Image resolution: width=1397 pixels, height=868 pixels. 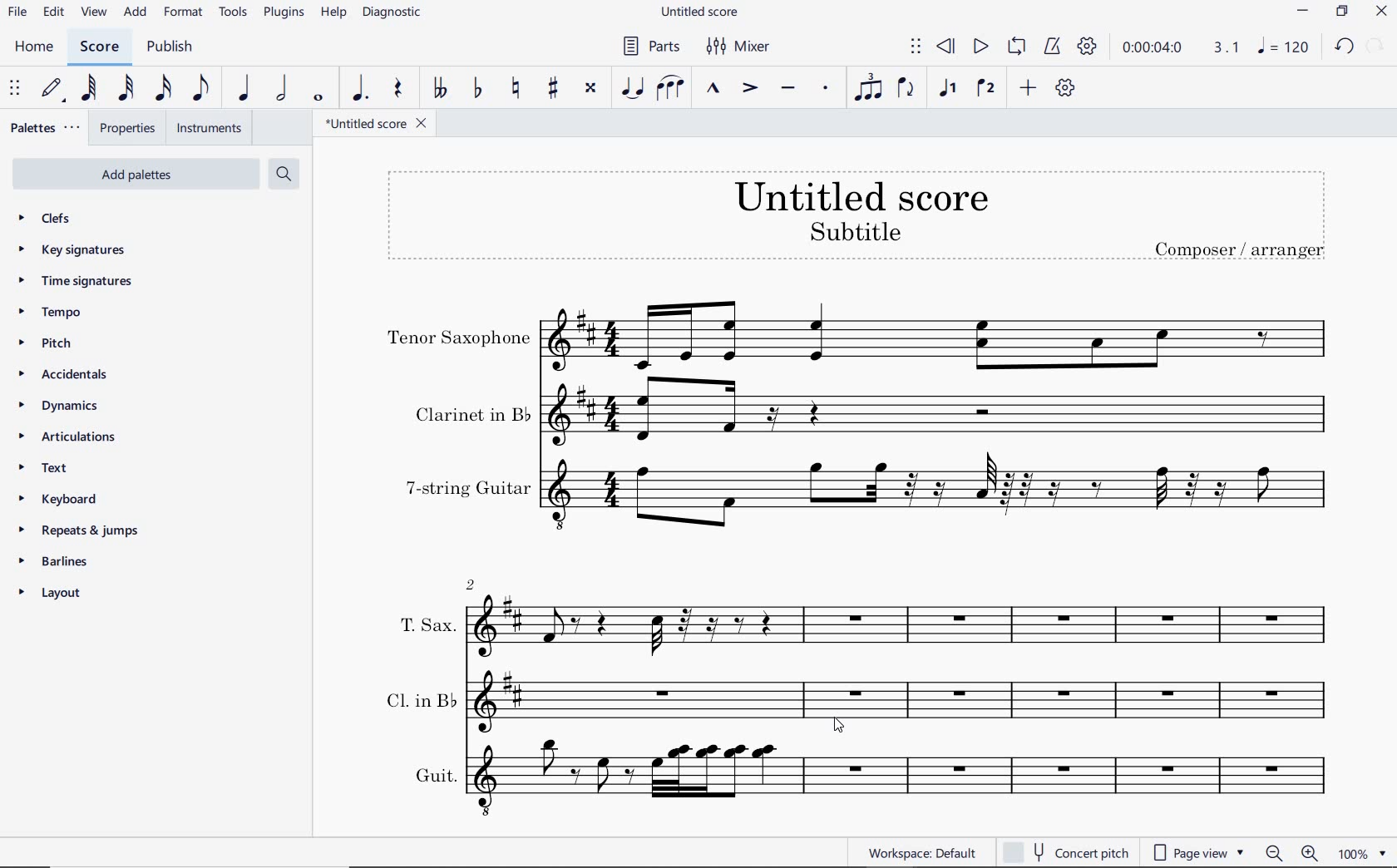 I want to click on layout, so click(x=55, y=594).